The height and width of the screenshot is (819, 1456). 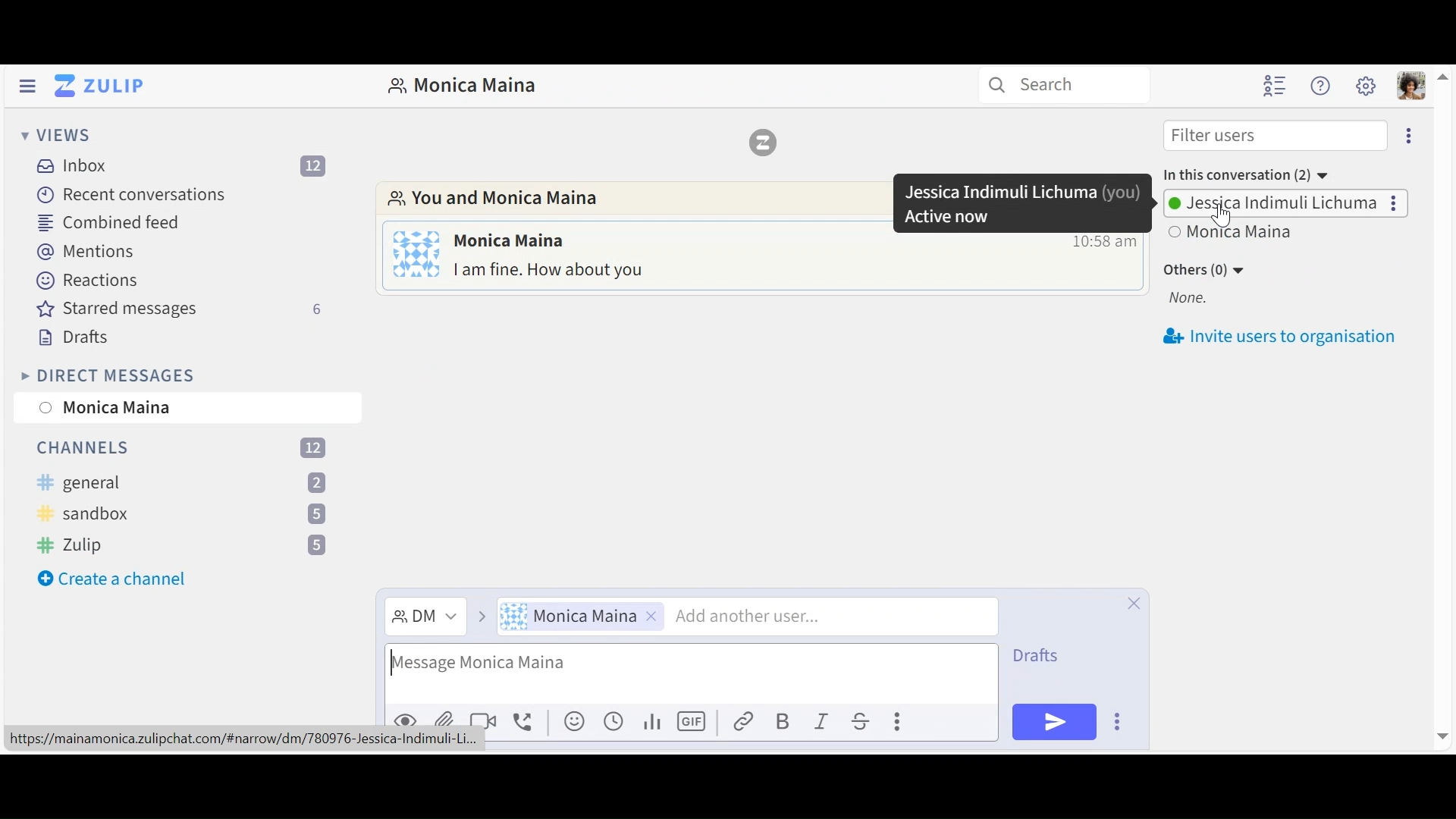 What do you see at coordinates (115, 221) in the screenshot?
I see `Combined feed` at bounding box center [115, 221].